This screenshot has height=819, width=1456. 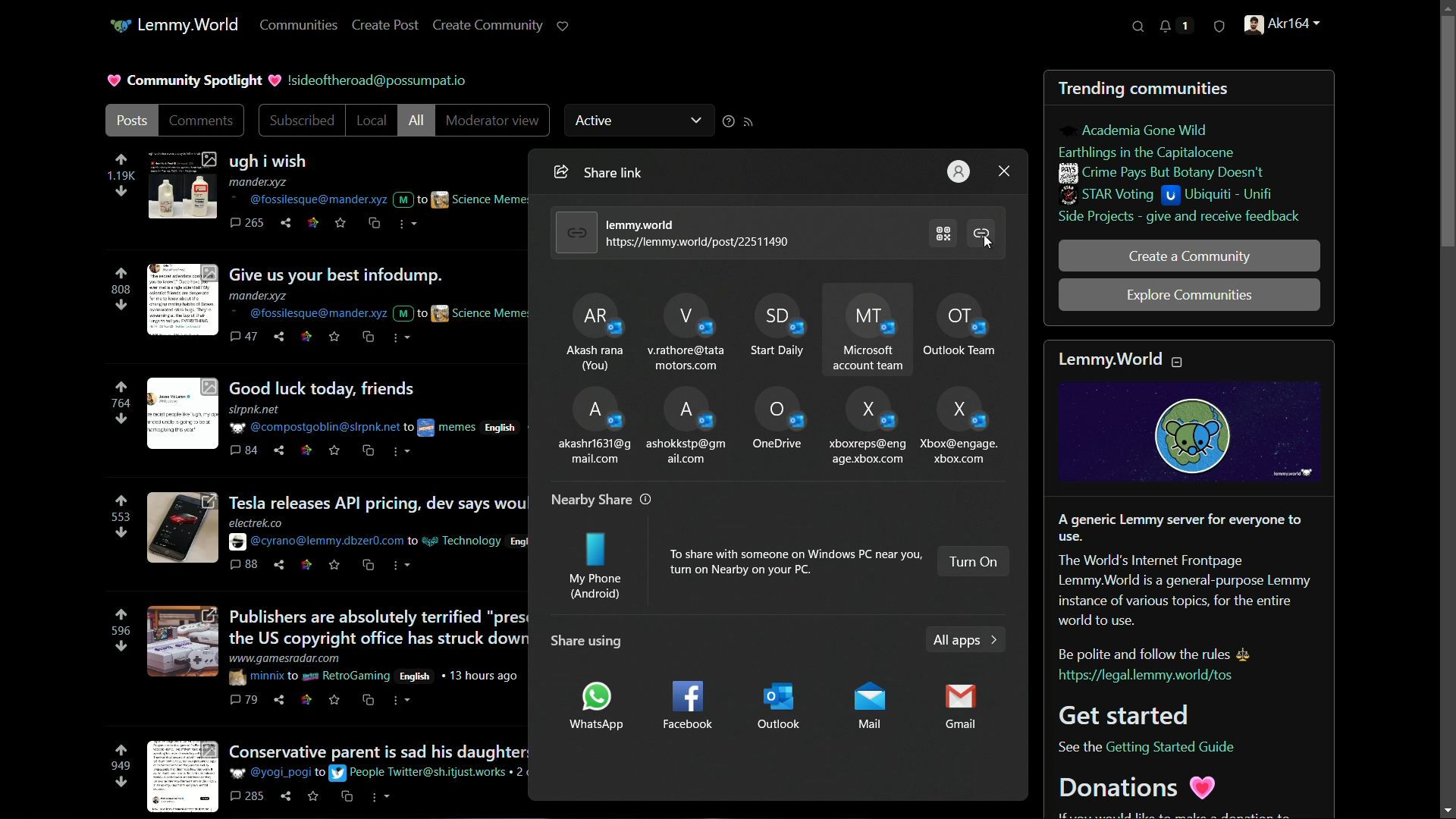 What do you see at coordinates (1219, 30) in the screenshot?
I see `security` at bounding box center [1219, 30].